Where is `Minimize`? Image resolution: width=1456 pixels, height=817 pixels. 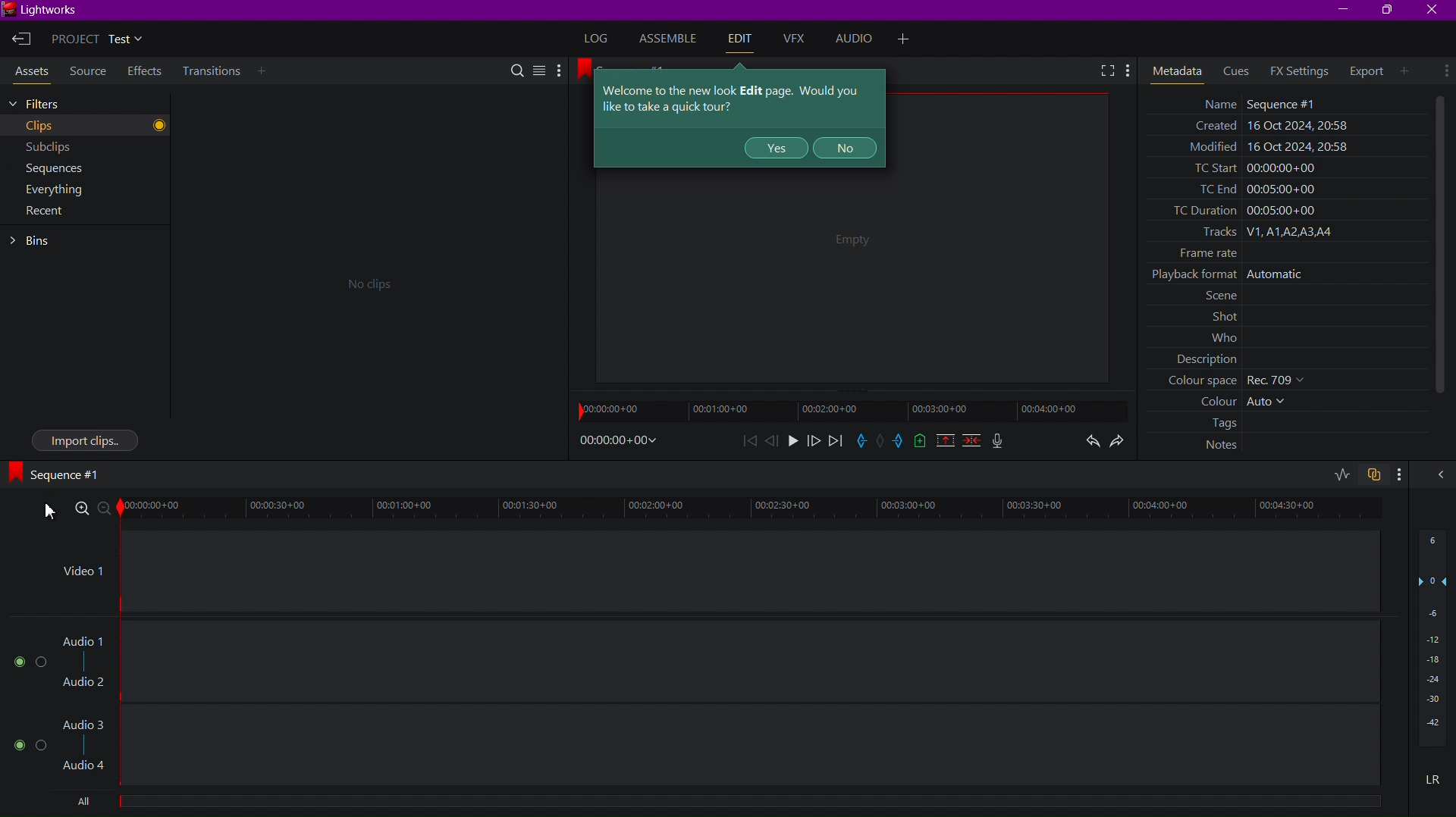 Minimize is located at coordinates (1341, 11).